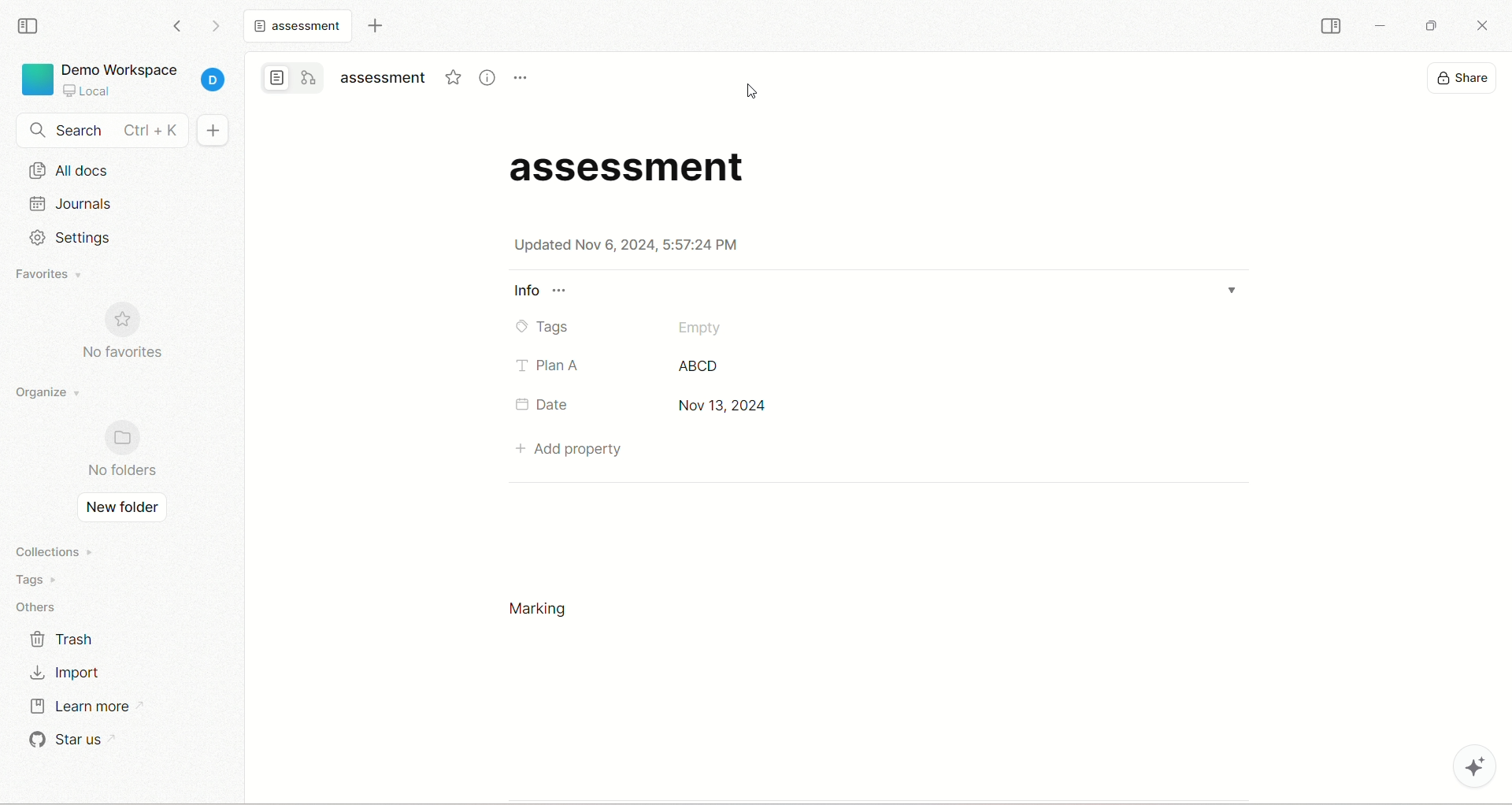 This screenshot has width=1512, height=805. Describe the element at coordinates (547, 406) in the screenshot. I see `date` at that location.